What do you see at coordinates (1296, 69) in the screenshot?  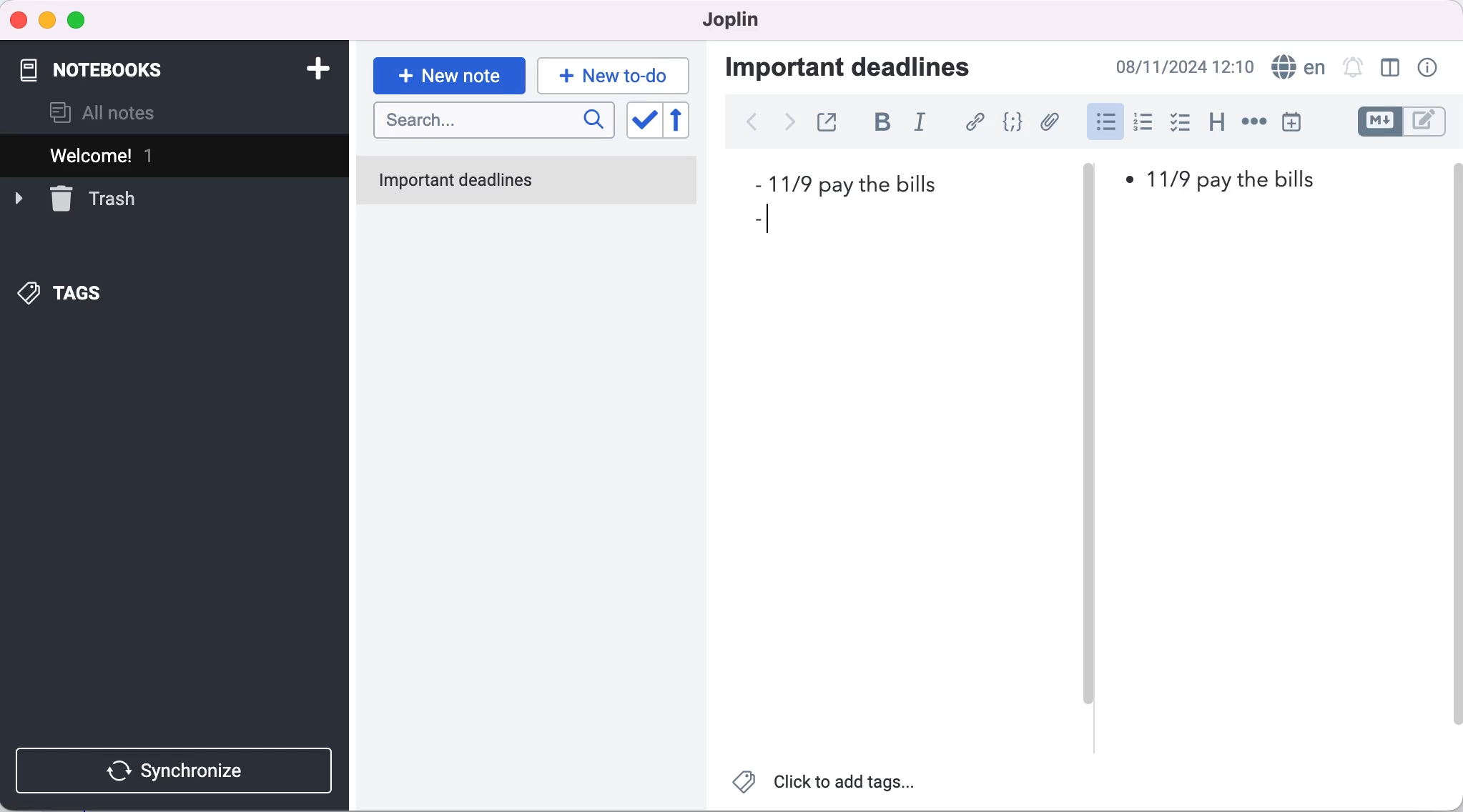 I see `language` at bounding box center [1296, 69].